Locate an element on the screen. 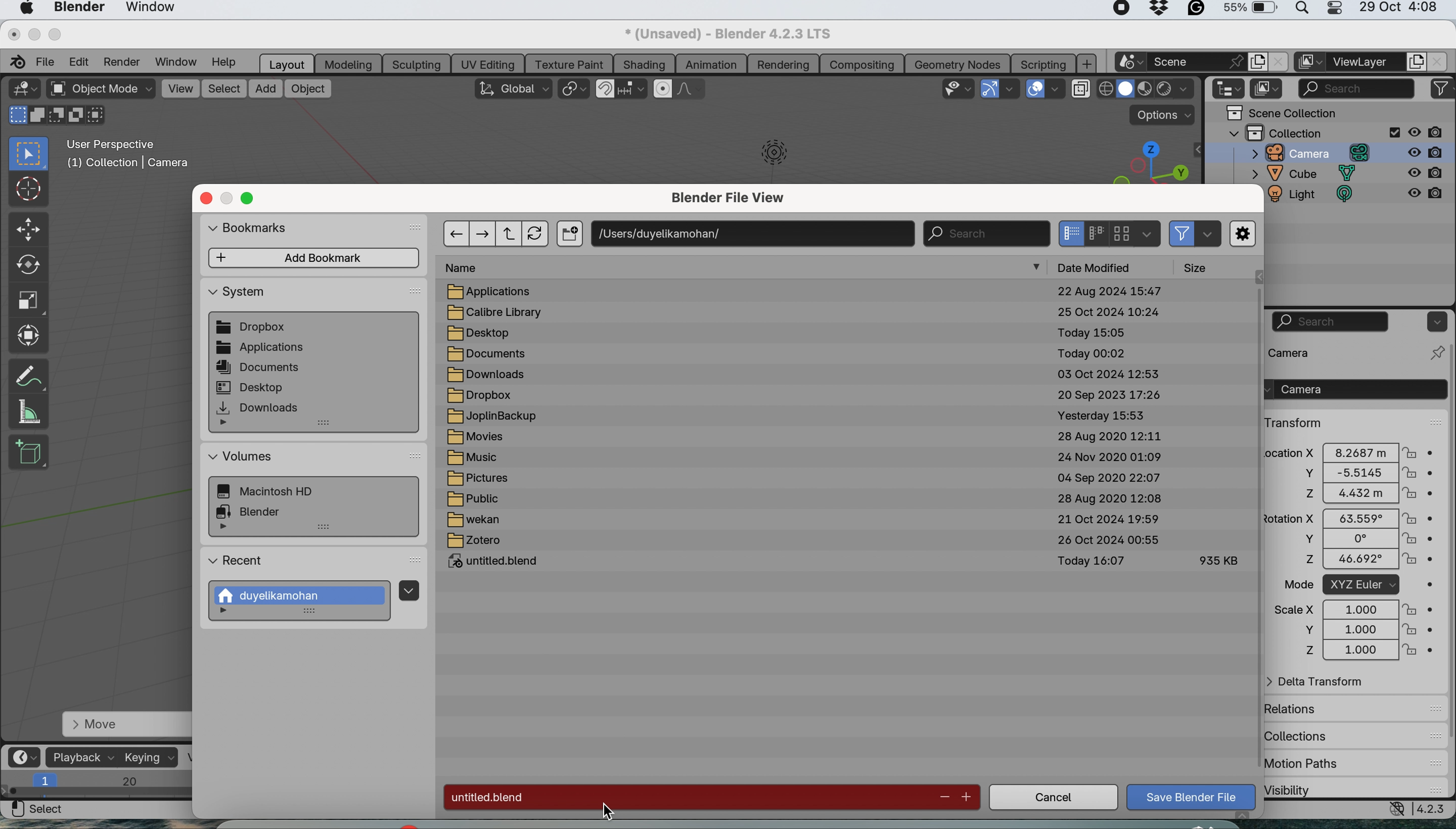  display mode is located at coordinates (1093, 233).